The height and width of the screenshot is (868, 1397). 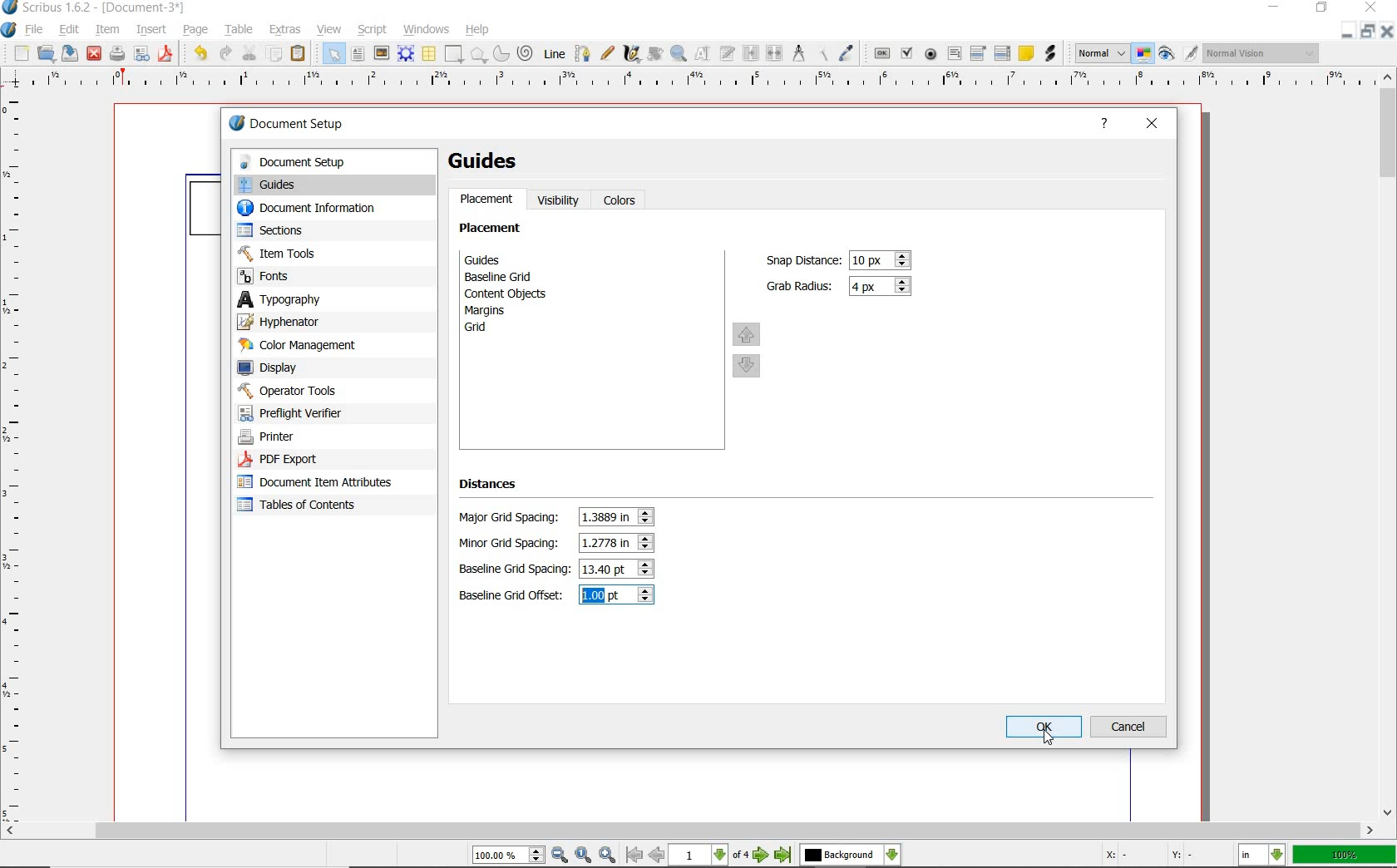 What do you see at coordinates (526, 52) in the screenshot?
I see `spiral` at bounding box center [526, 52].